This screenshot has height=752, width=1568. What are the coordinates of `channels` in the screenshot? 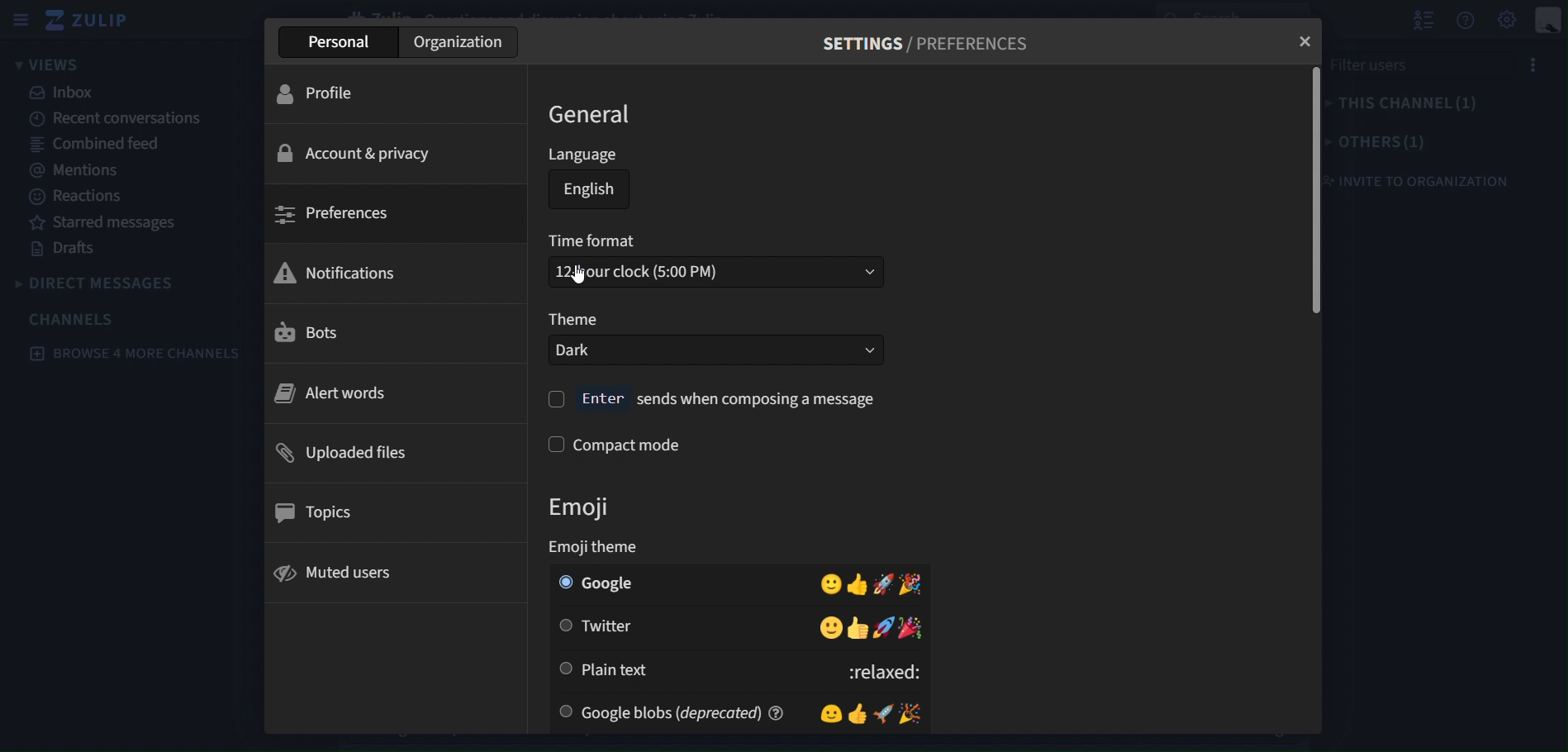 It's located at (75, 319).